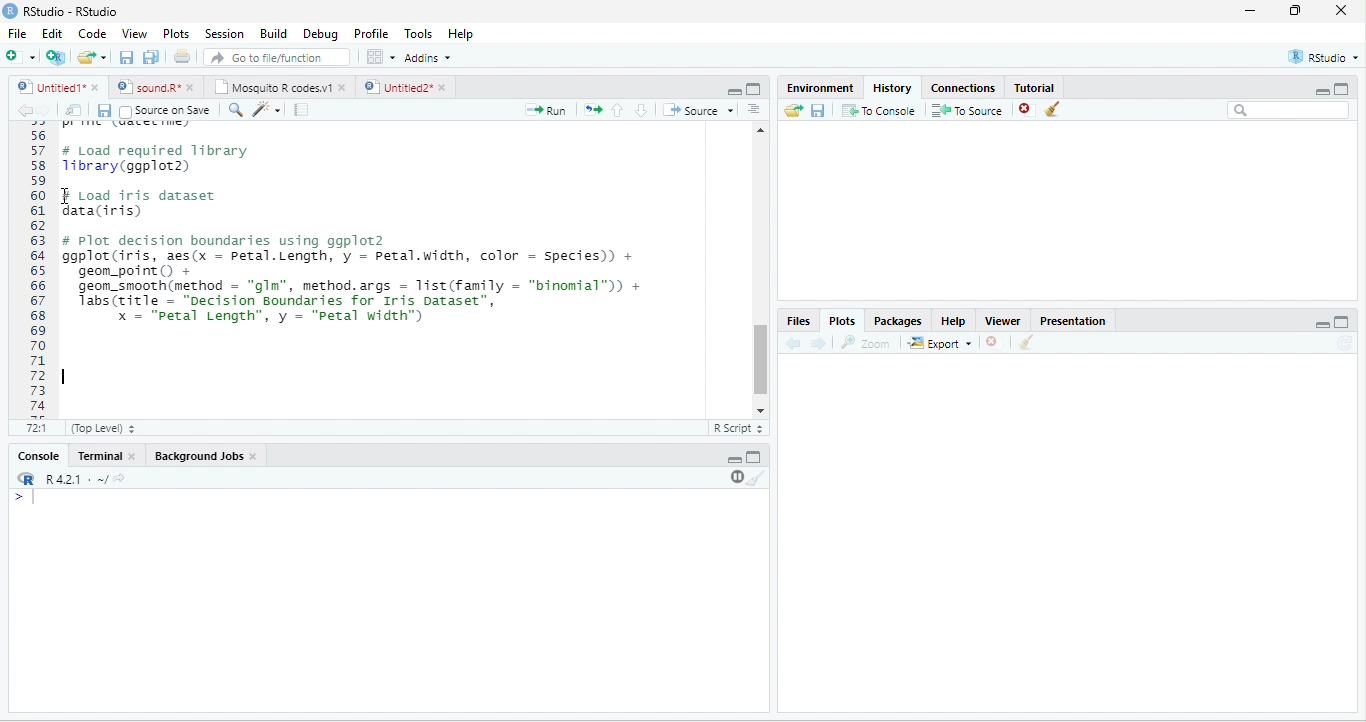 The image size is (1366, 722). What do you see at coordinates (68, 378) in the screenshot?
I see `typing cursor` at bounding box center [68, 378].